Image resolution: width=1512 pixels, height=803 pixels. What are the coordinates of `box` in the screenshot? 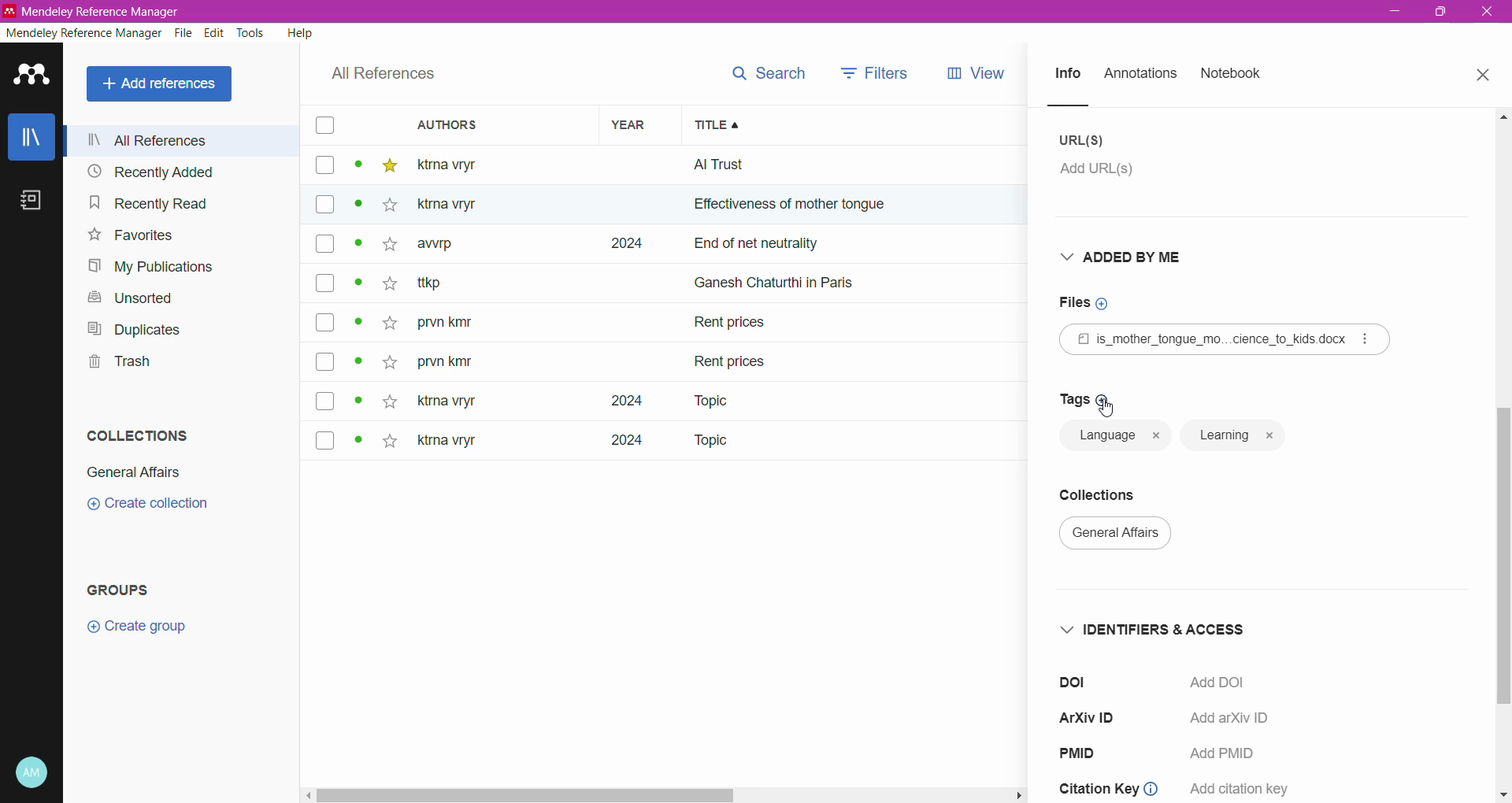 It's located at (324, 283).